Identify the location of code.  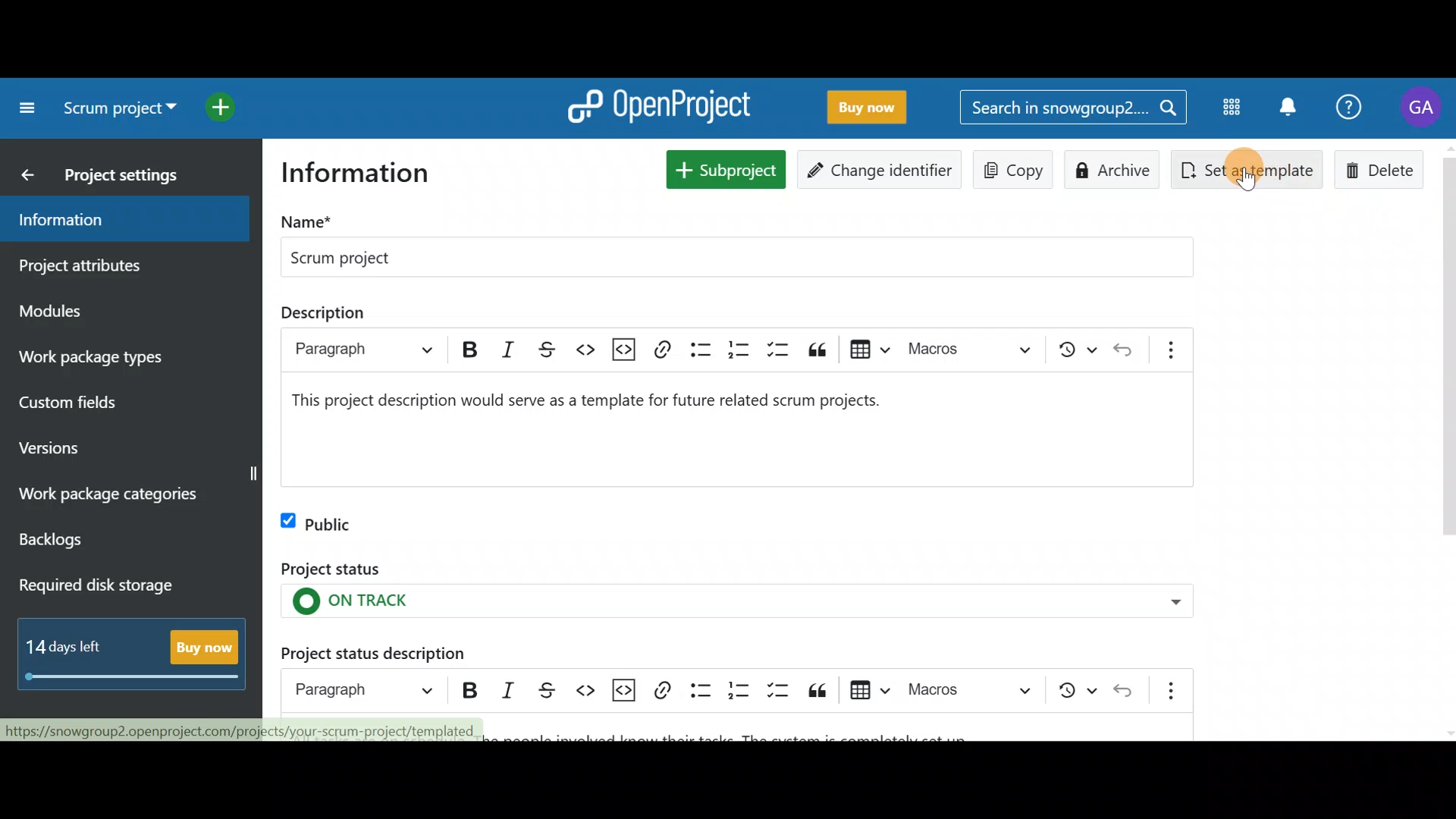
(585, 350).